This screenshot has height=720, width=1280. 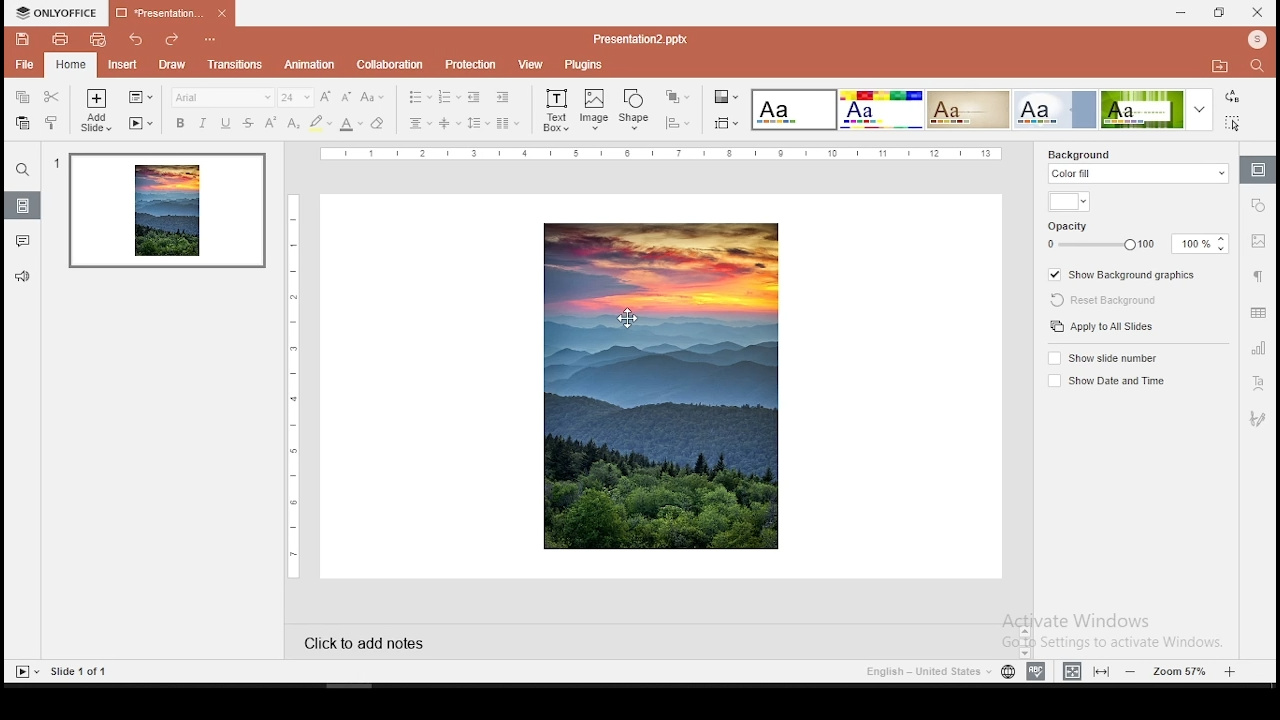 I want to click on add slide, so click(x=95, y=110).